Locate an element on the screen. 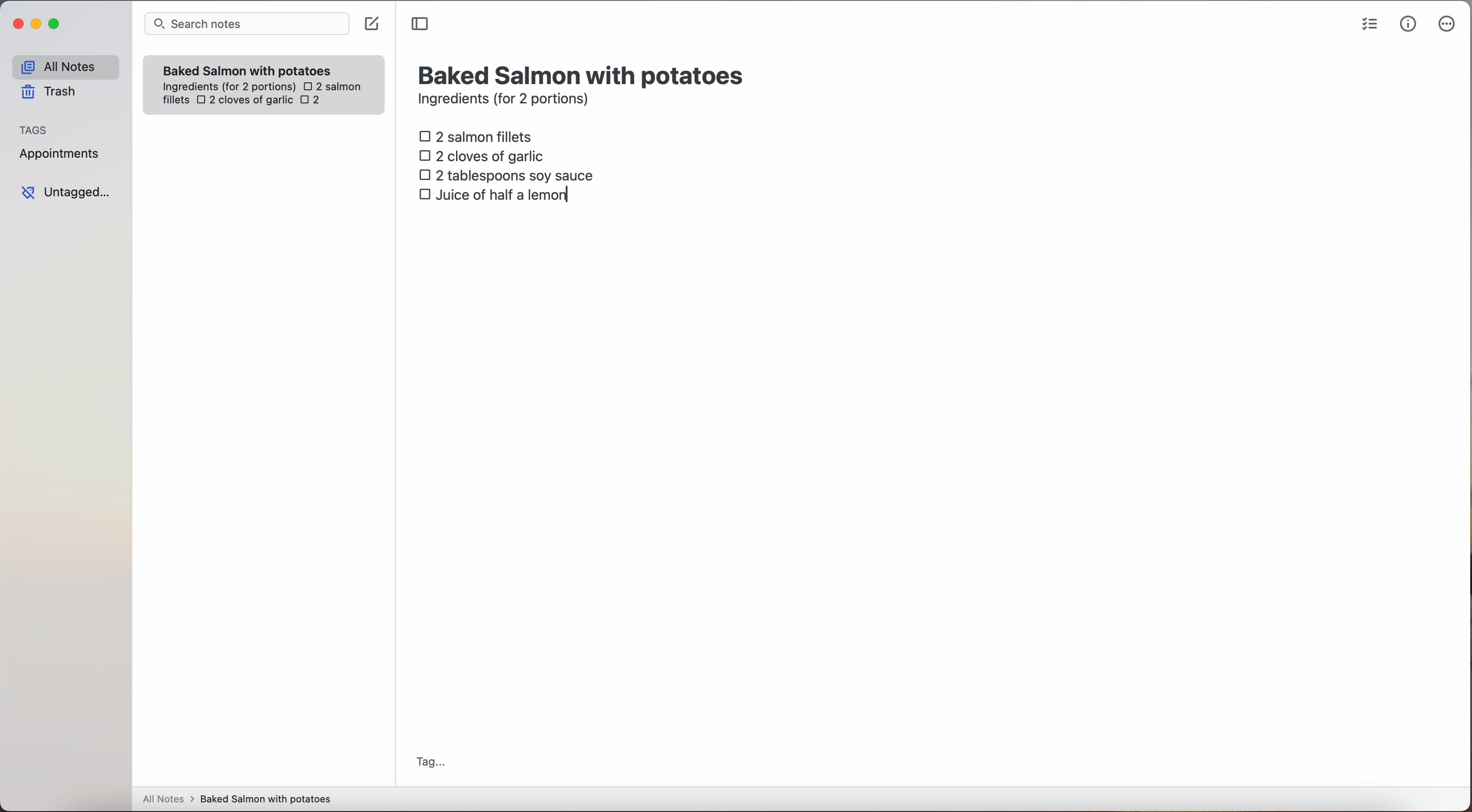 The image size is (1472, 812). 2  is located at coordinates (314, 101).